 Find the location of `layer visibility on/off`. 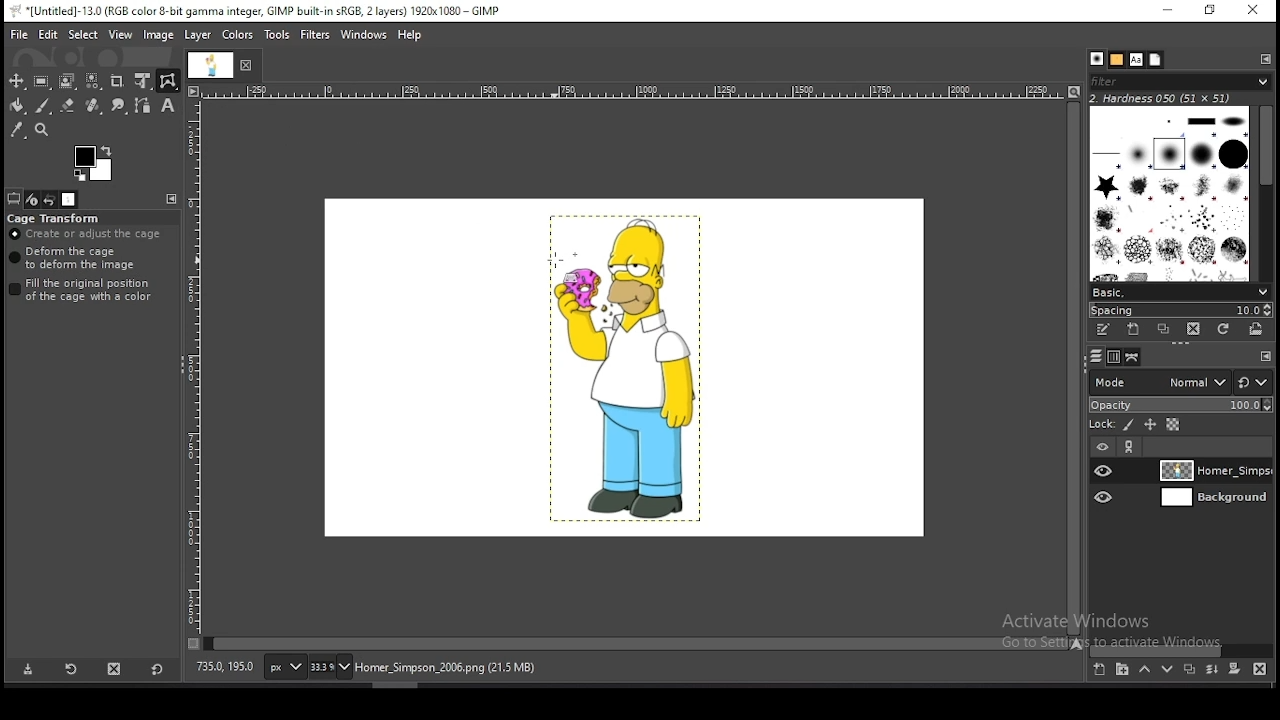

layer visibility on/off is located at coordinates (1105, 497).